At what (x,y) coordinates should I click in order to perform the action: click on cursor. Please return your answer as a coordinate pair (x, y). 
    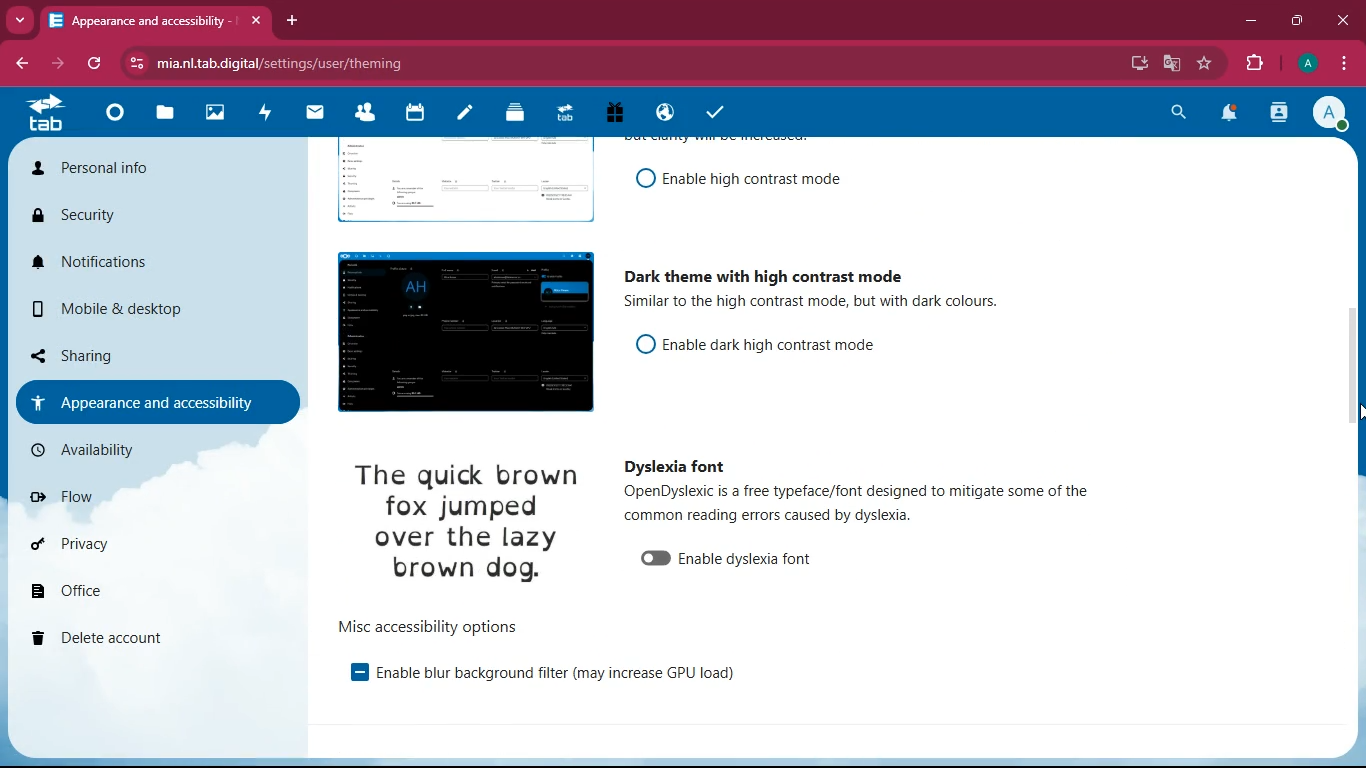
    Looking at the image, I should click on (1356, 418).